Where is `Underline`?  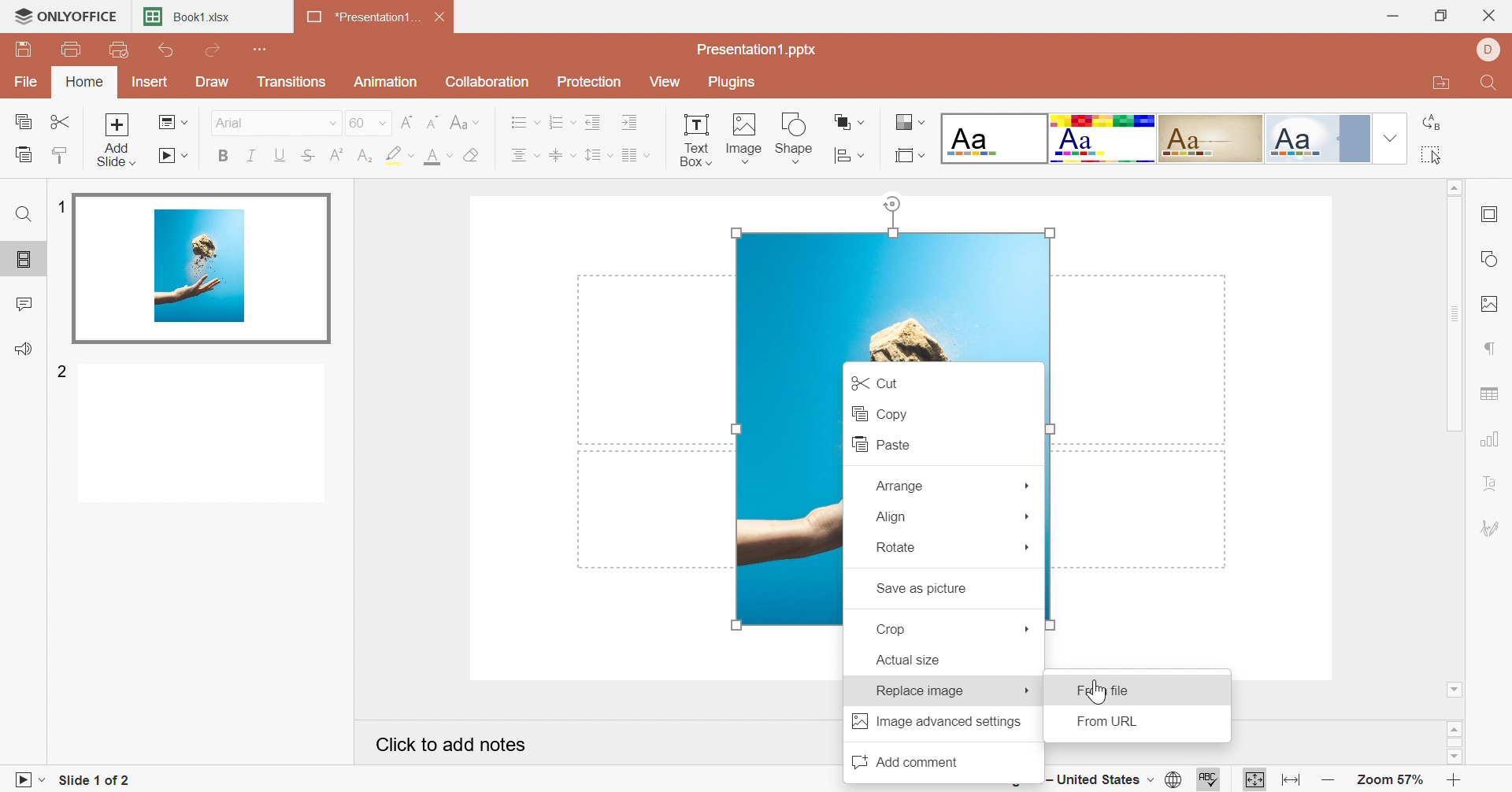
Underline is located at coordinates (280, 154).